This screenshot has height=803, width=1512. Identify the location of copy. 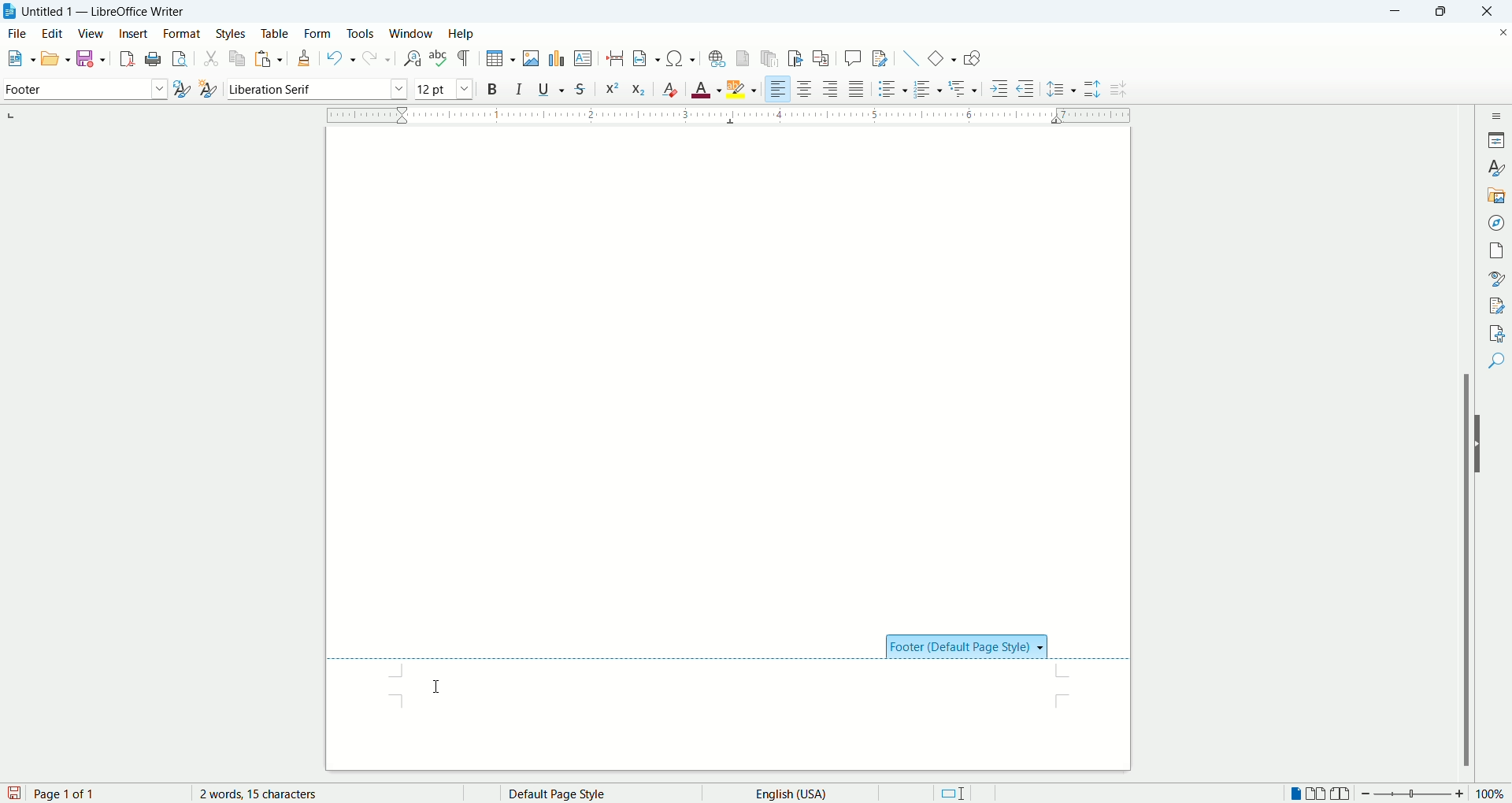
(239, 57).